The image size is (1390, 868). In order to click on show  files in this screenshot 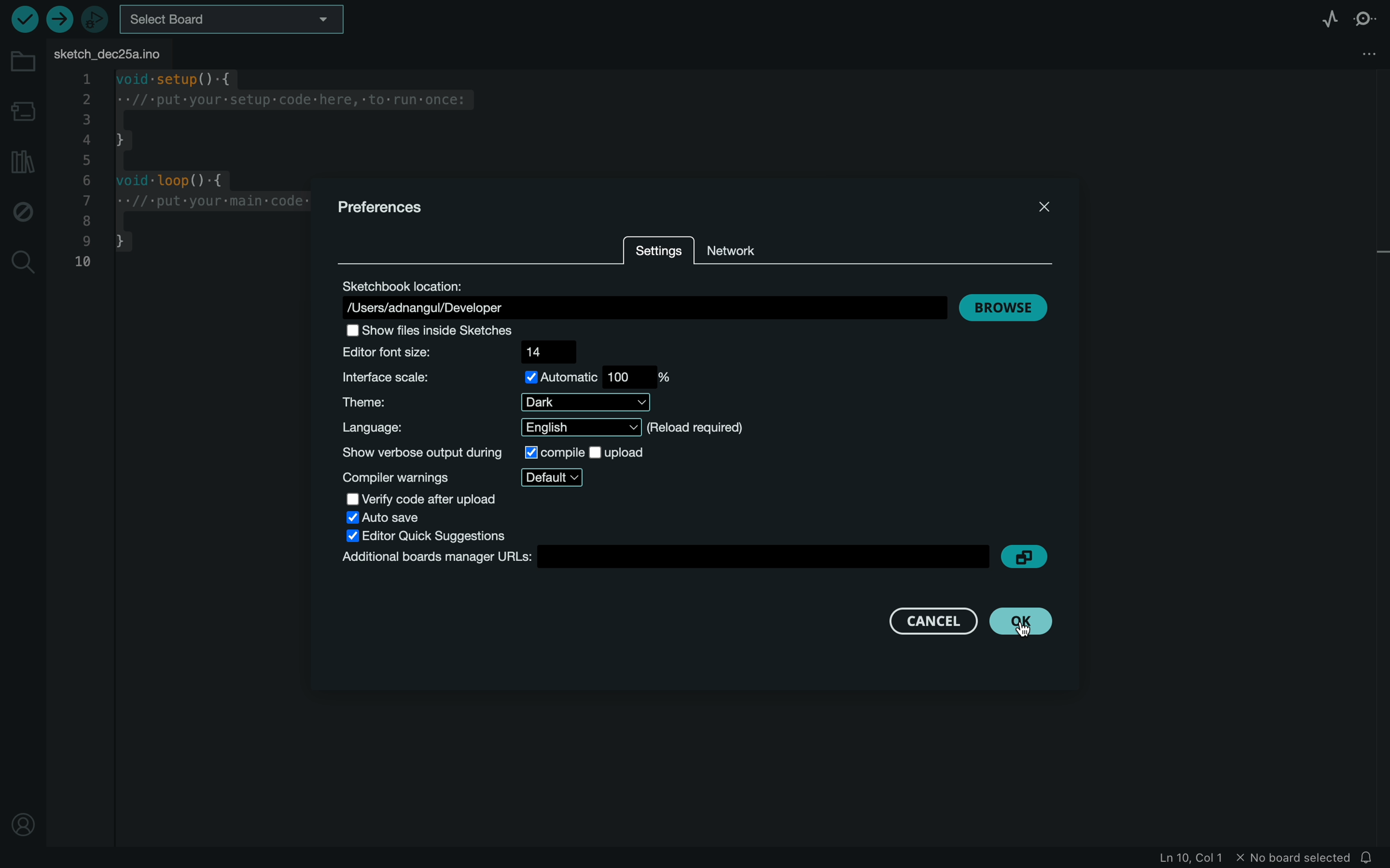, I will do `click(449, 329)`.